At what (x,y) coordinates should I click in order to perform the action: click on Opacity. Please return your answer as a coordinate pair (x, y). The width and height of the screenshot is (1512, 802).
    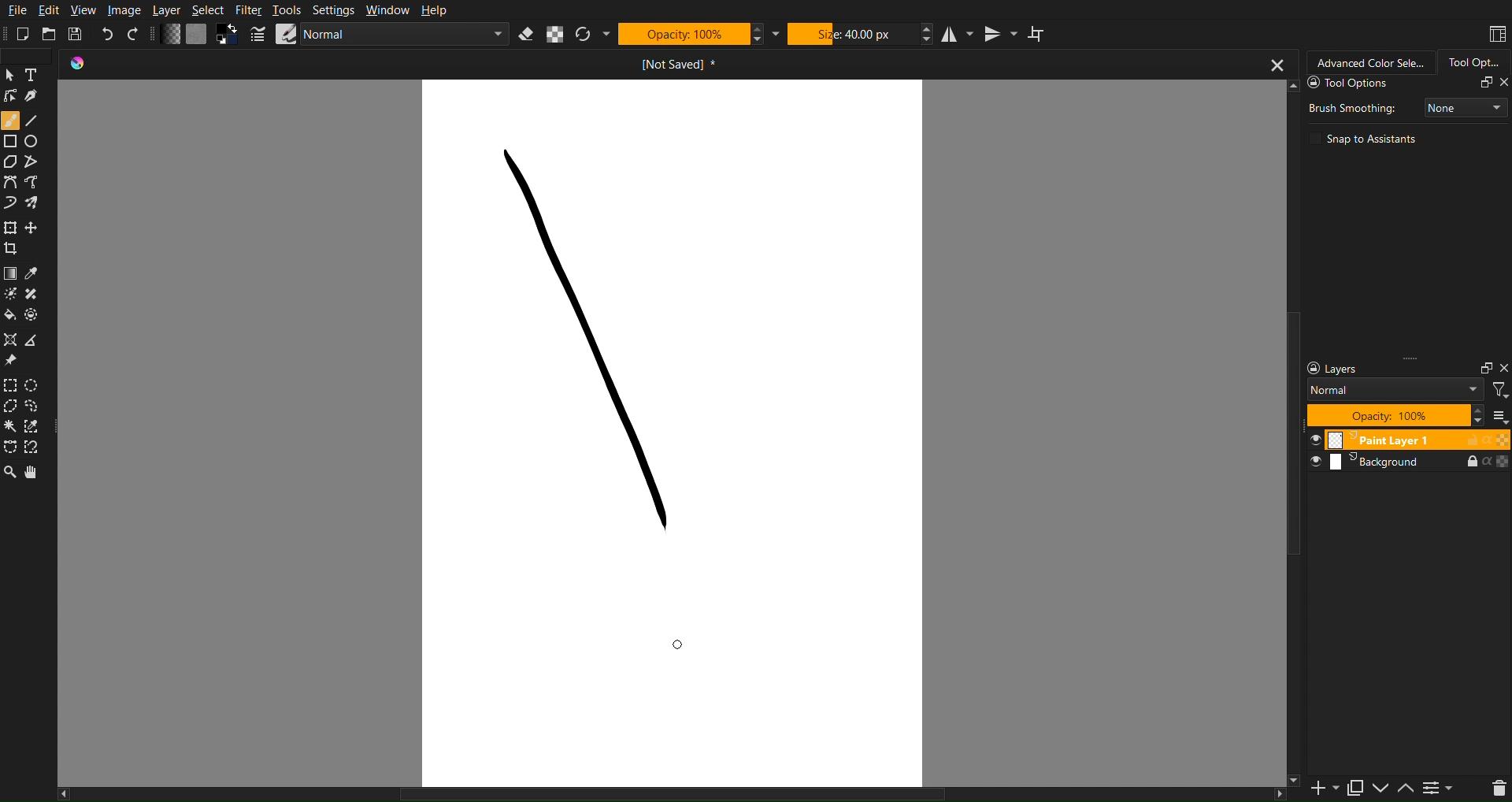
    Looking at the image, I should click on (1389, 414).